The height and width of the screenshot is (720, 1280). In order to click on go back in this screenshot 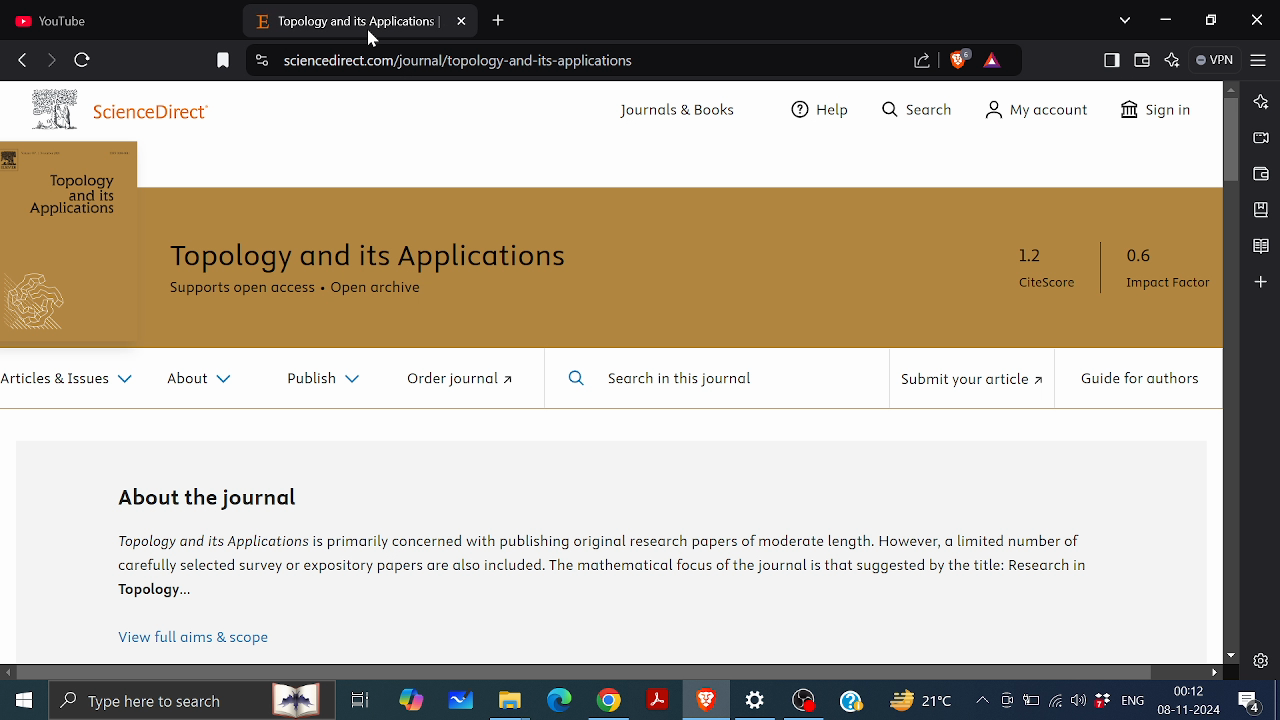, I will do `click(22, 58)`.